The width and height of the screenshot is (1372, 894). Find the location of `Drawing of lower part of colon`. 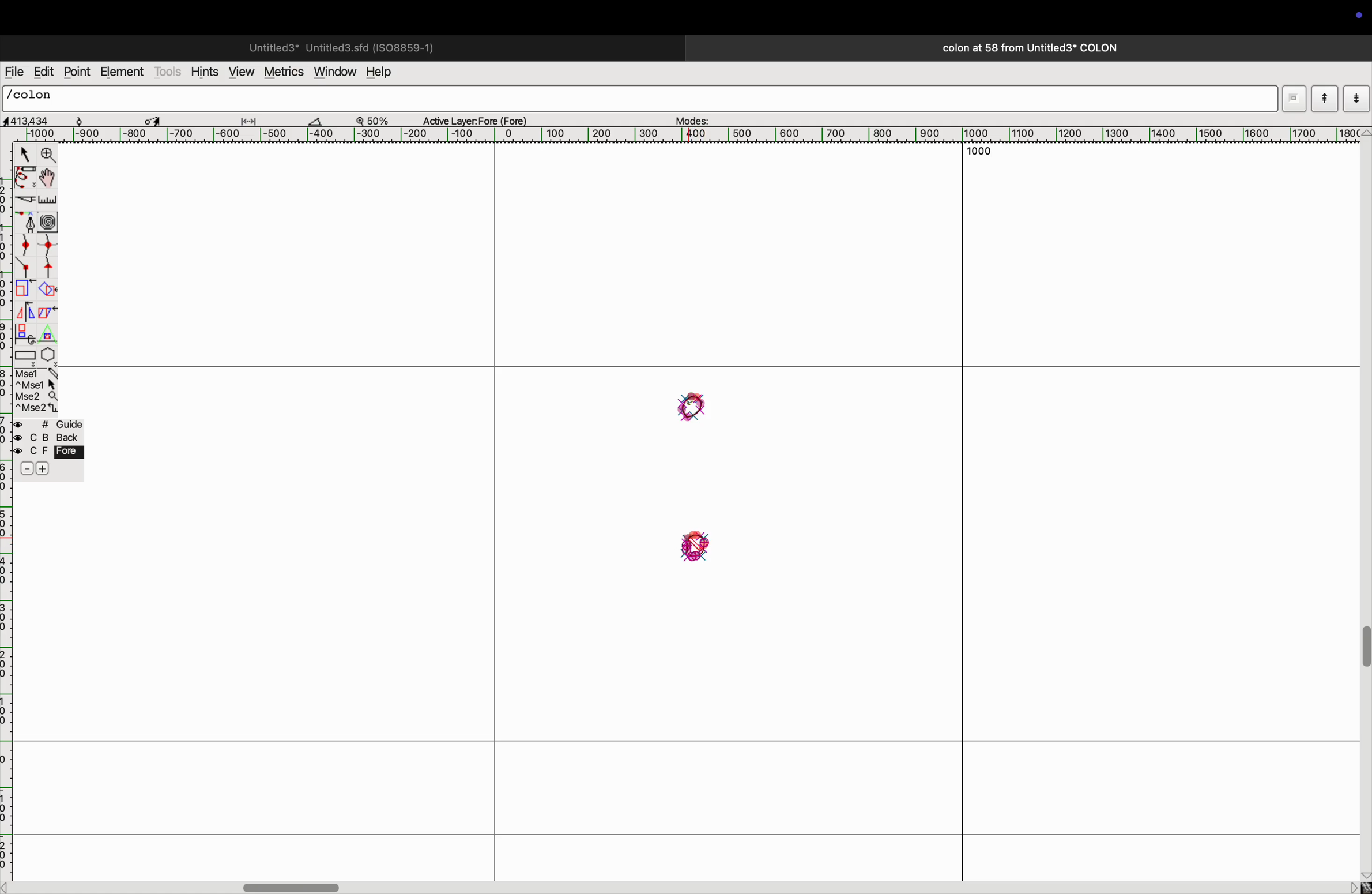

Drawing of lower part of colon is located at coordinates (692, 549).